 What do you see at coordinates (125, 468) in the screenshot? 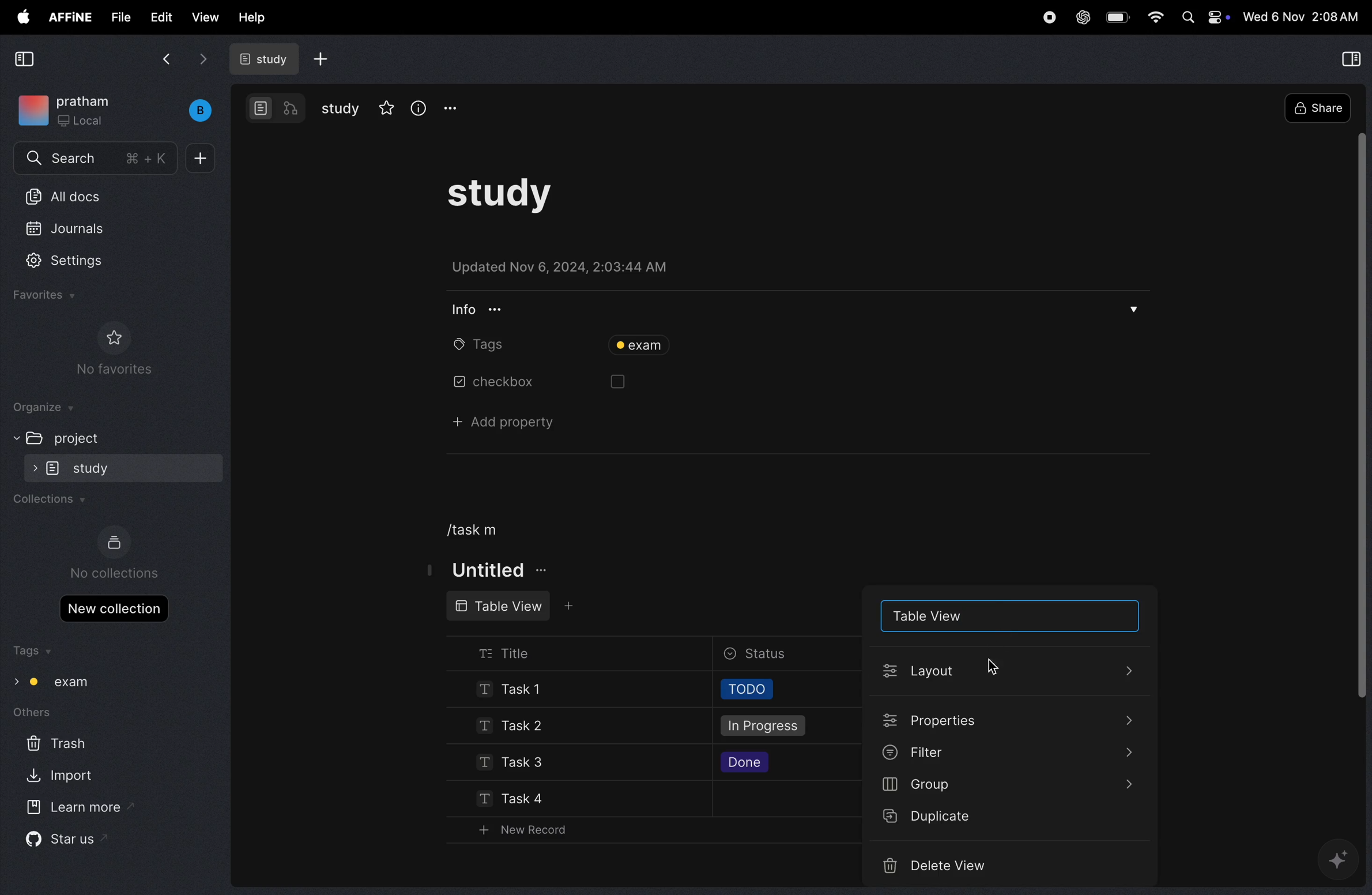
I see `study` at bounding box center [125, 468].